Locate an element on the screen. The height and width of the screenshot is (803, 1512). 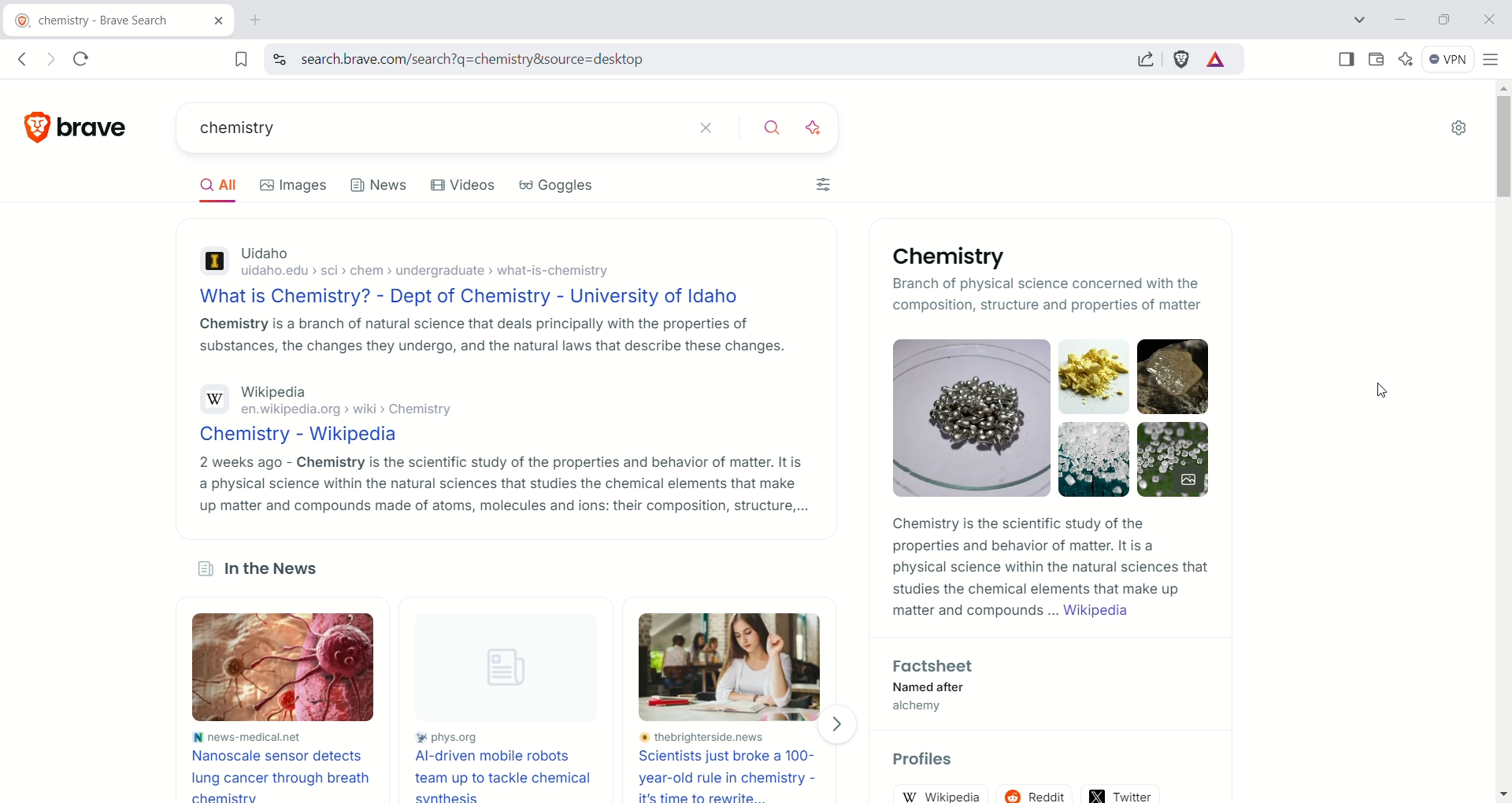
2 weeks ago - Chemistry is the scientific study of the properties and behavior of matter. It is a physical science within the natural sciences that studies the chemical elements that make up matter and compounds made of atoms, molecules and ions: their composition, structure, is located at coordinates (502, 484).